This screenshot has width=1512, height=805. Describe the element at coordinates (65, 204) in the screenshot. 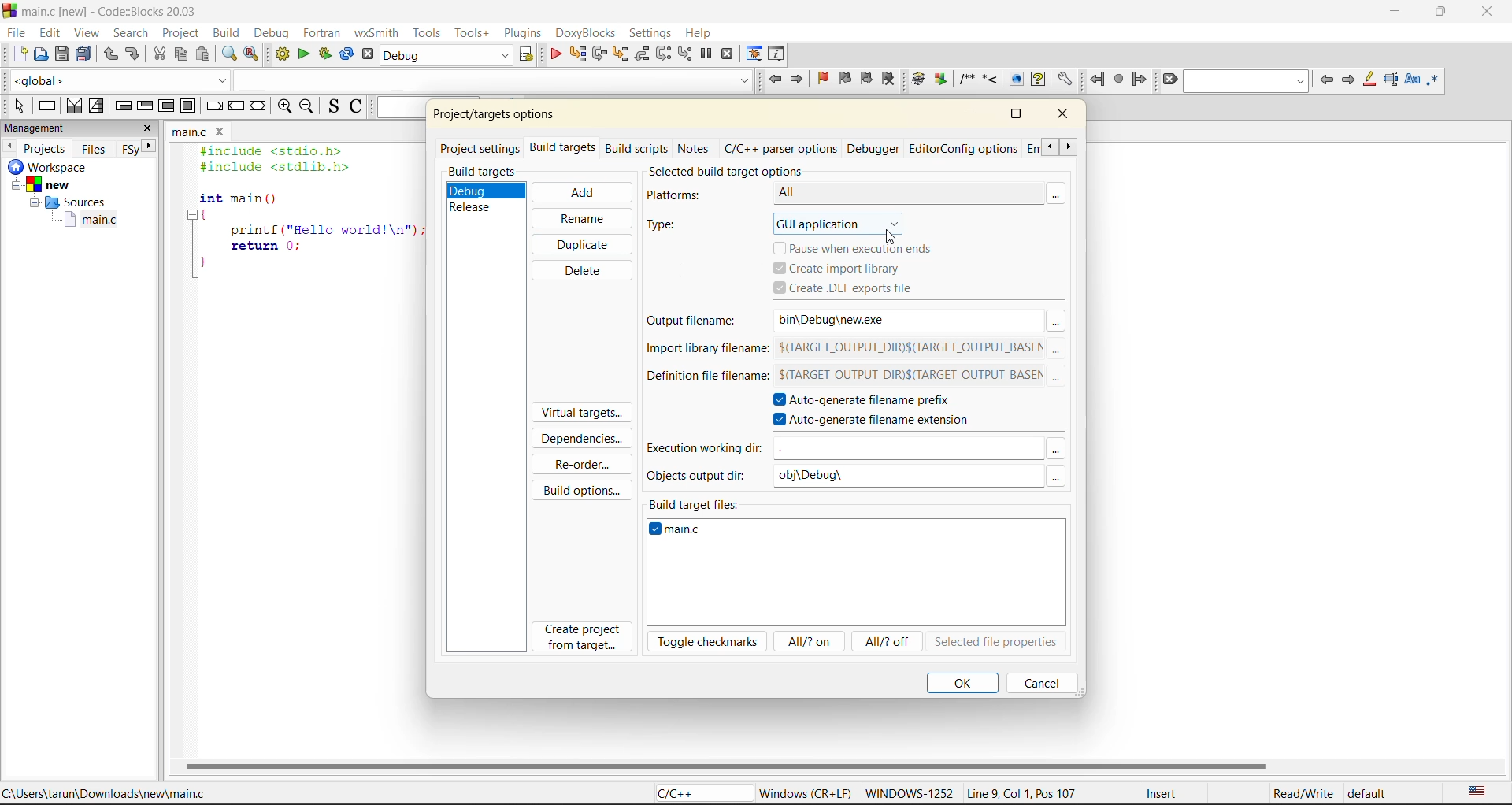

I see `Sources` at that location.